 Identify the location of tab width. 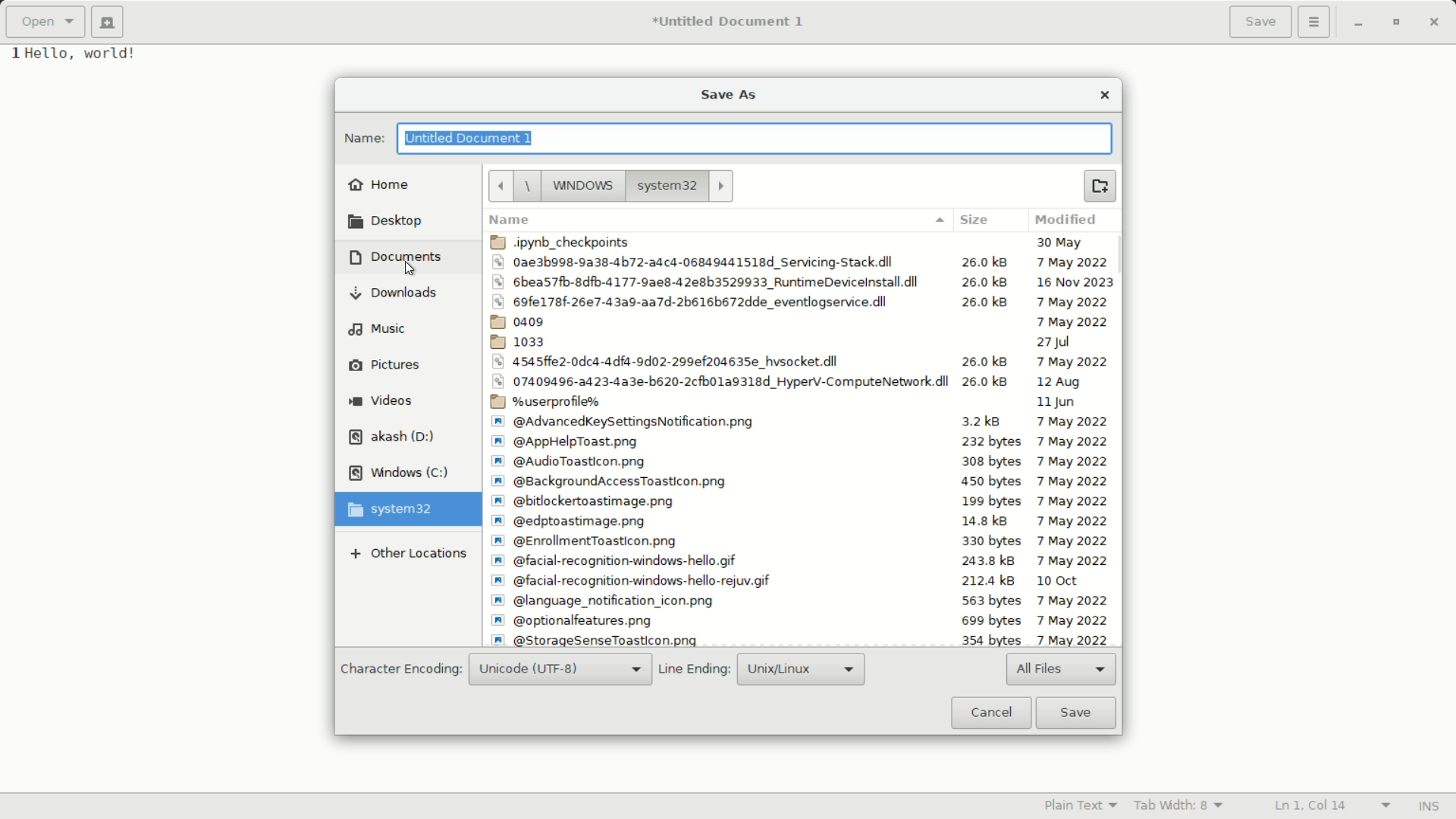
(1180, 807).